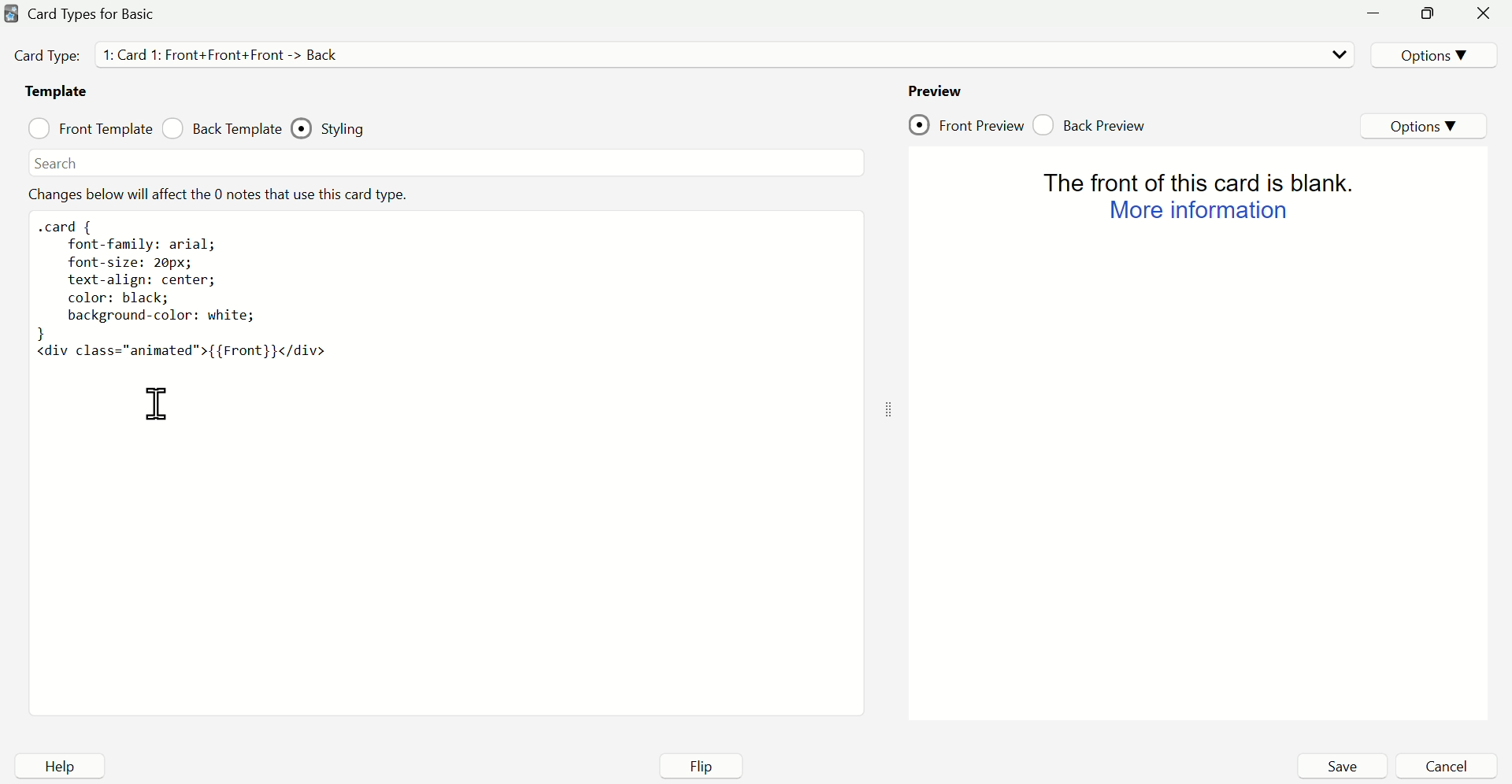 The width and height of the screenshot is (1512, 784). I want to click on Back Template, so click(221, 131).